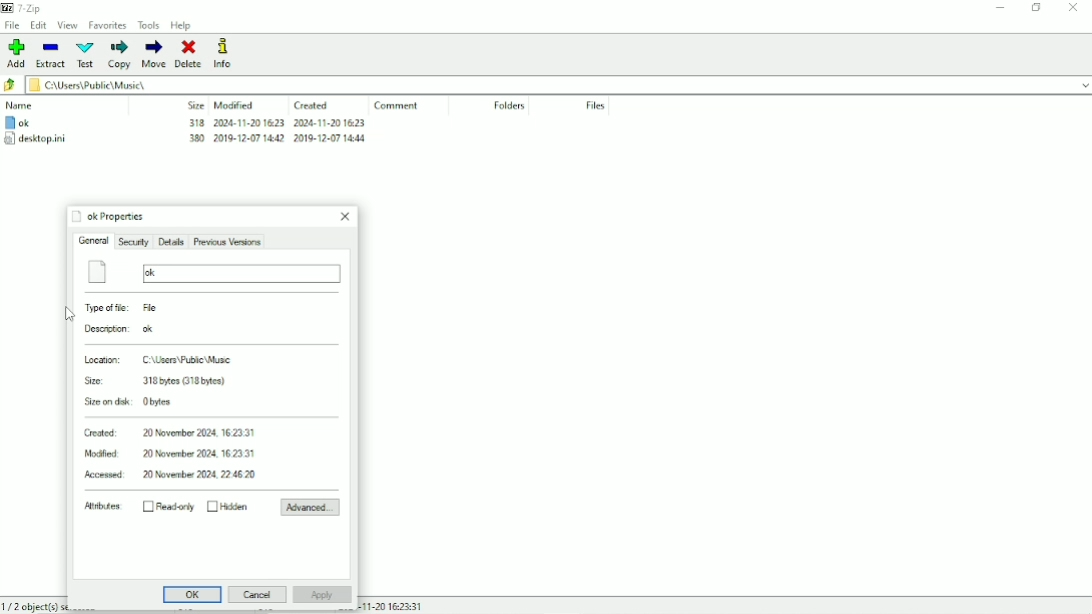  I want to click on 7 - Zip, so click(27, 8).